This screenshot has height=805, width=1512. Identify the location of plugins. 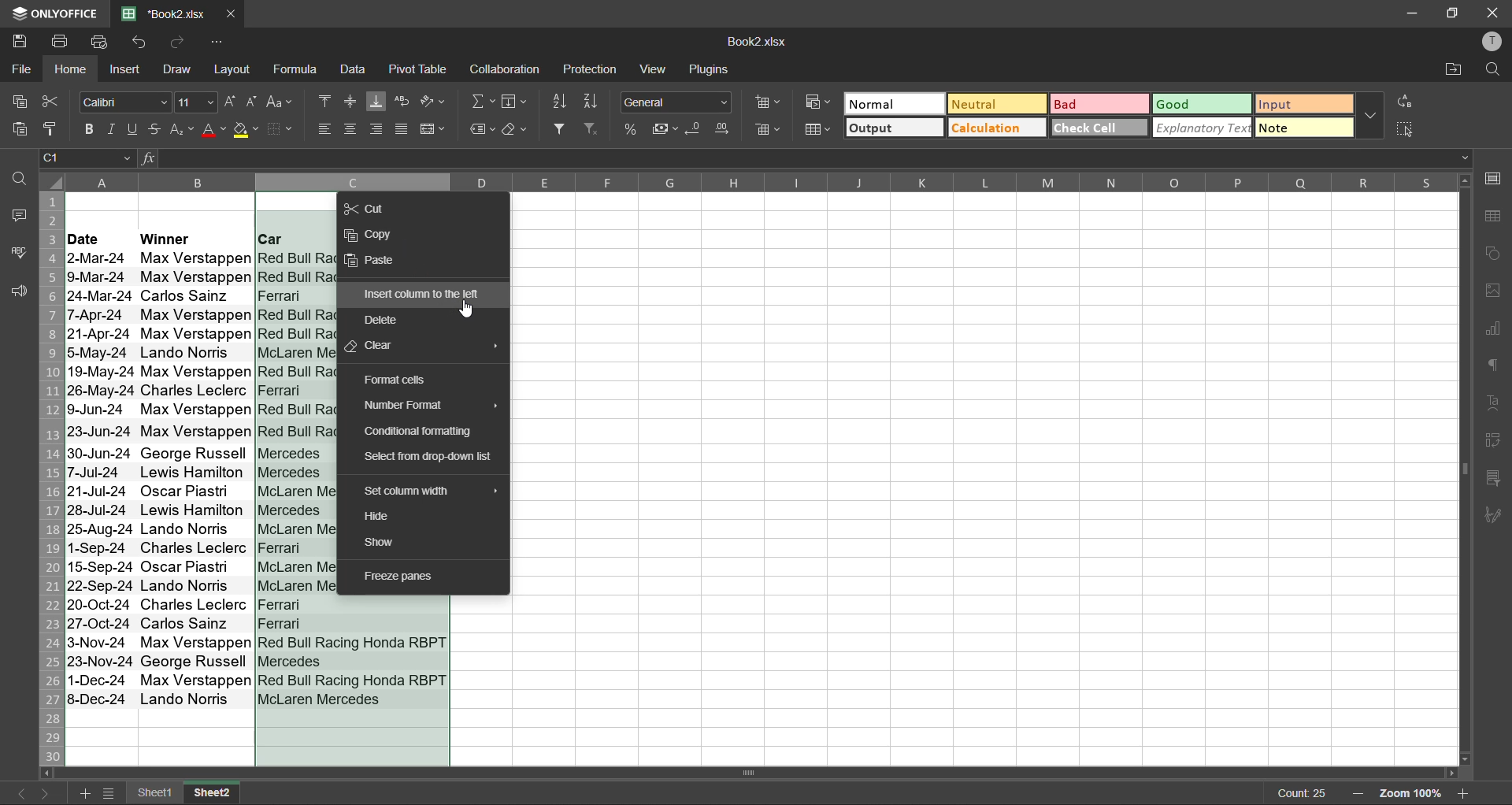
(709, 69).